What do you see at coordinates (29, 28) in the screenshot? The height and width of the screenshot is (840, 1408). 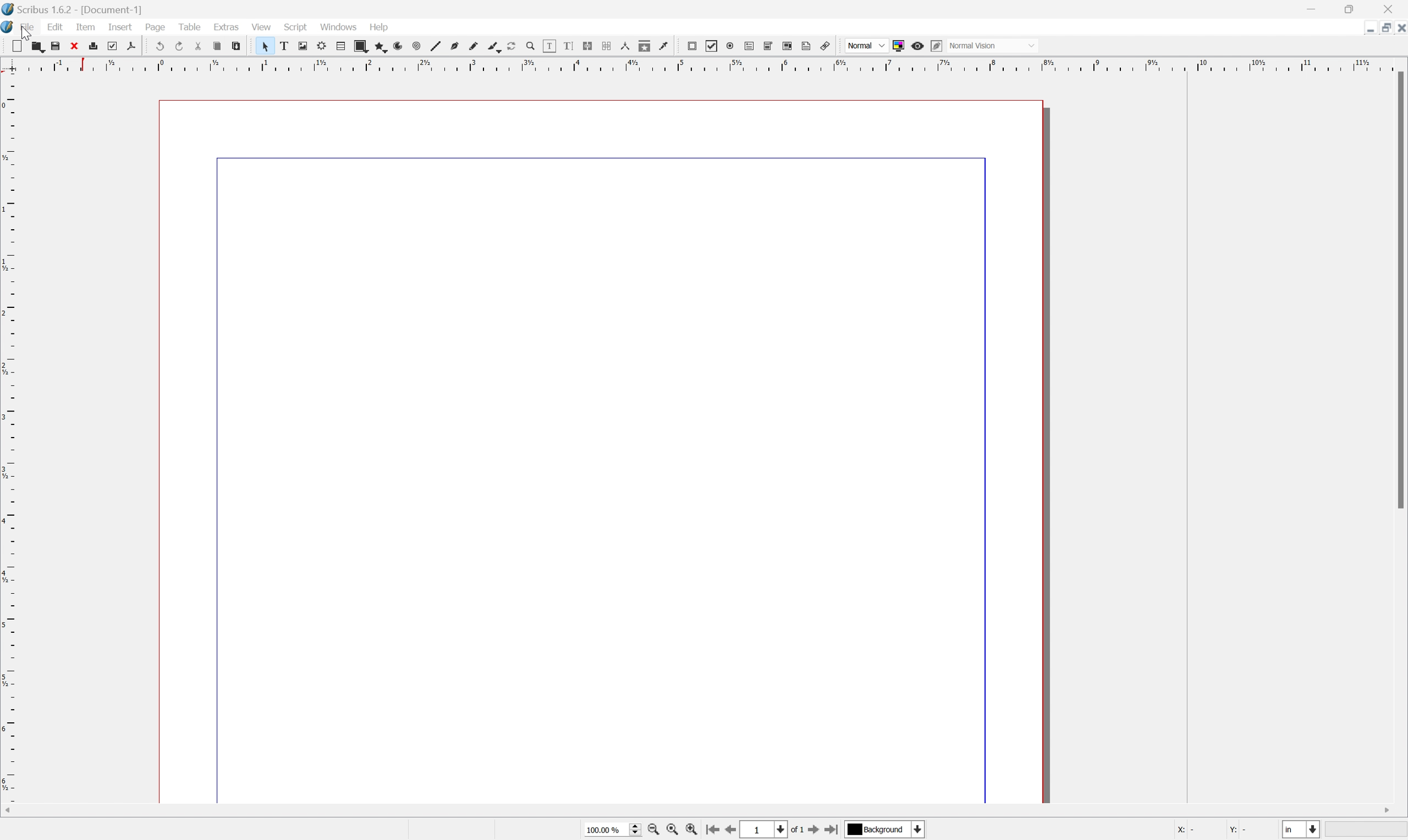 I see `File` at bounding box center [29, 28].